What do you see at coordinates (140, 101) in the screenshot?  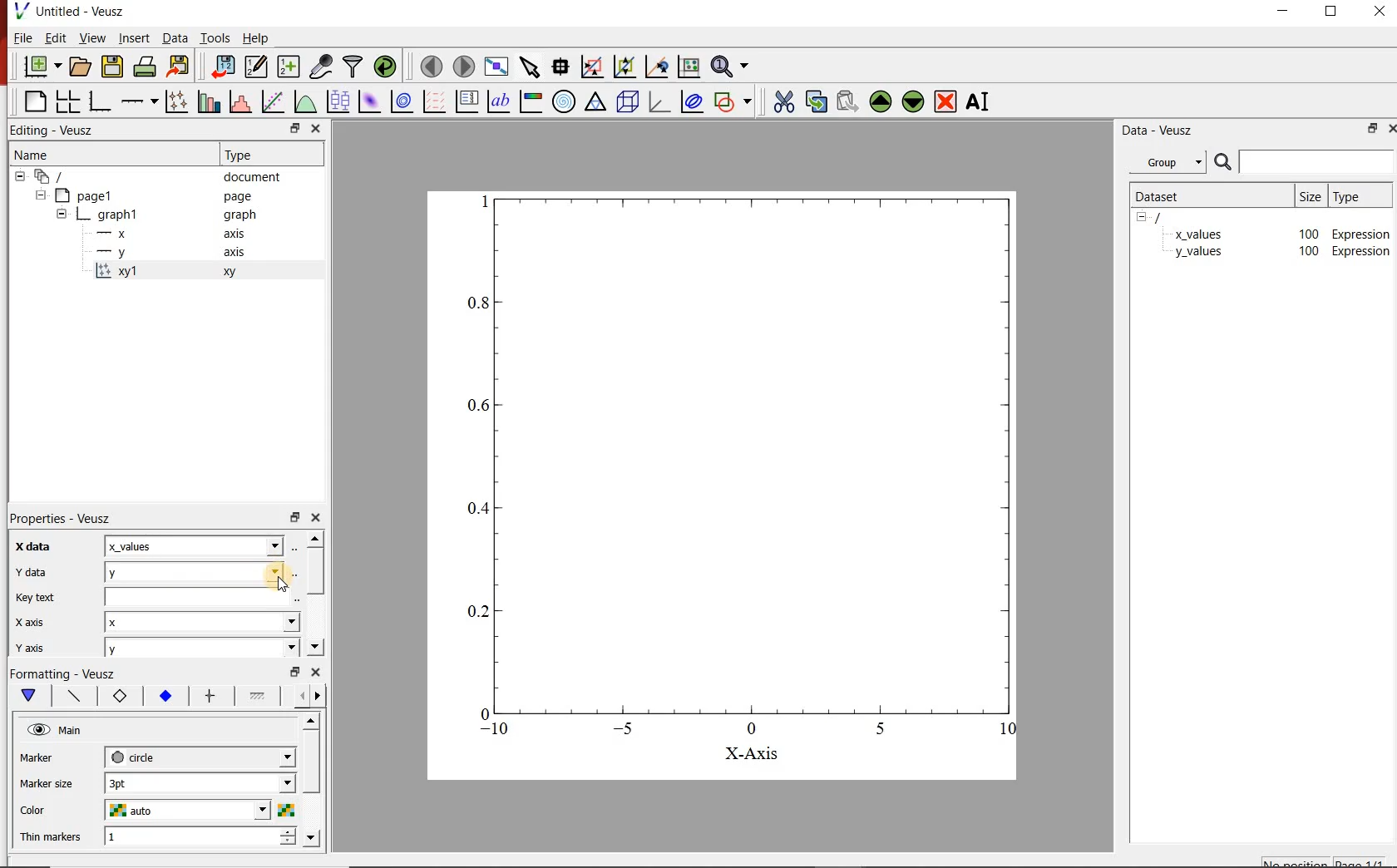 I see `add axis on the plot` at bounding box center [140, 101].